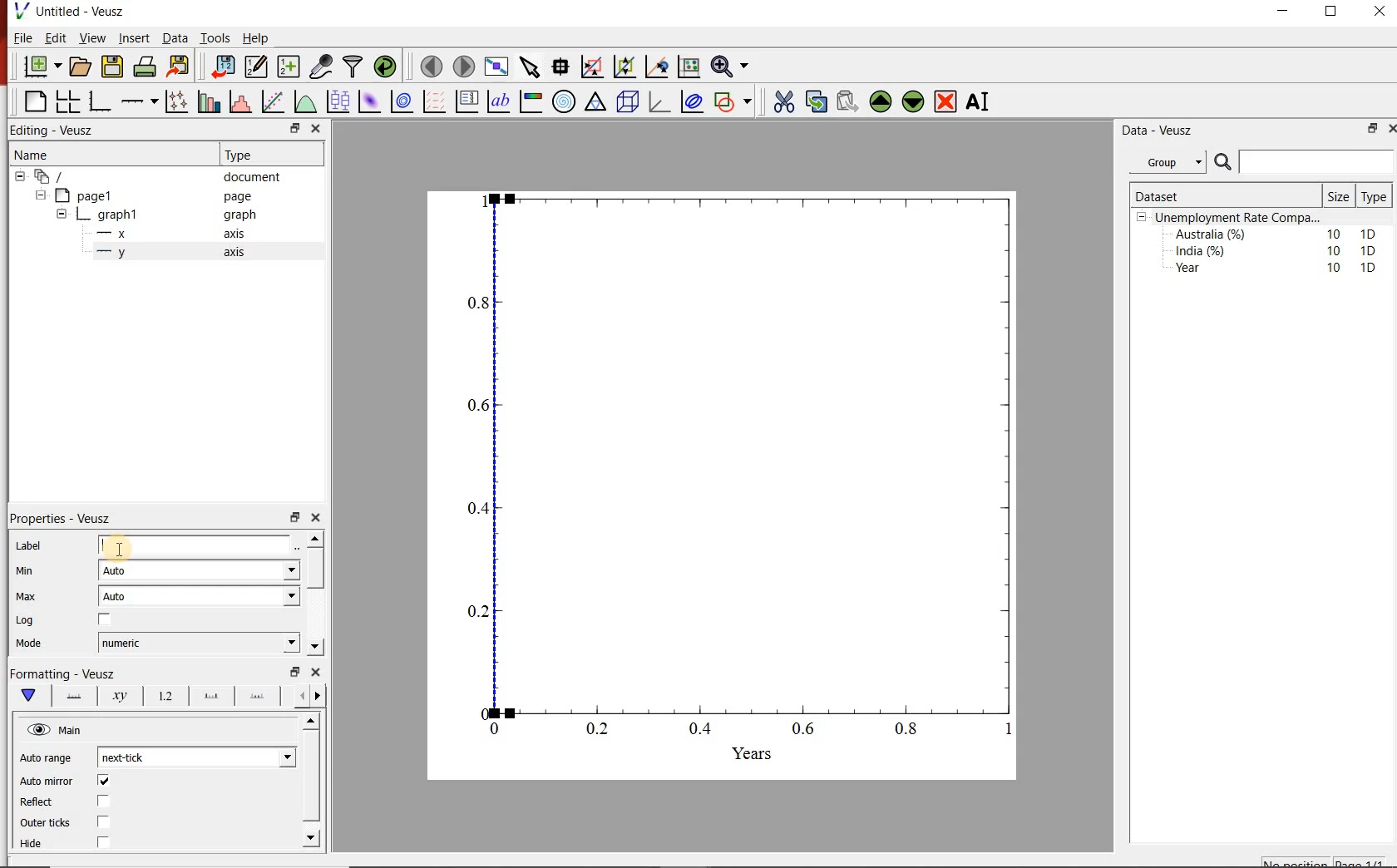 This screenshot has height=868, width=1397. What do you see at coordinates (160, 195) in the screenshot?
I see `page1 page` at bounding box center [160, 195].